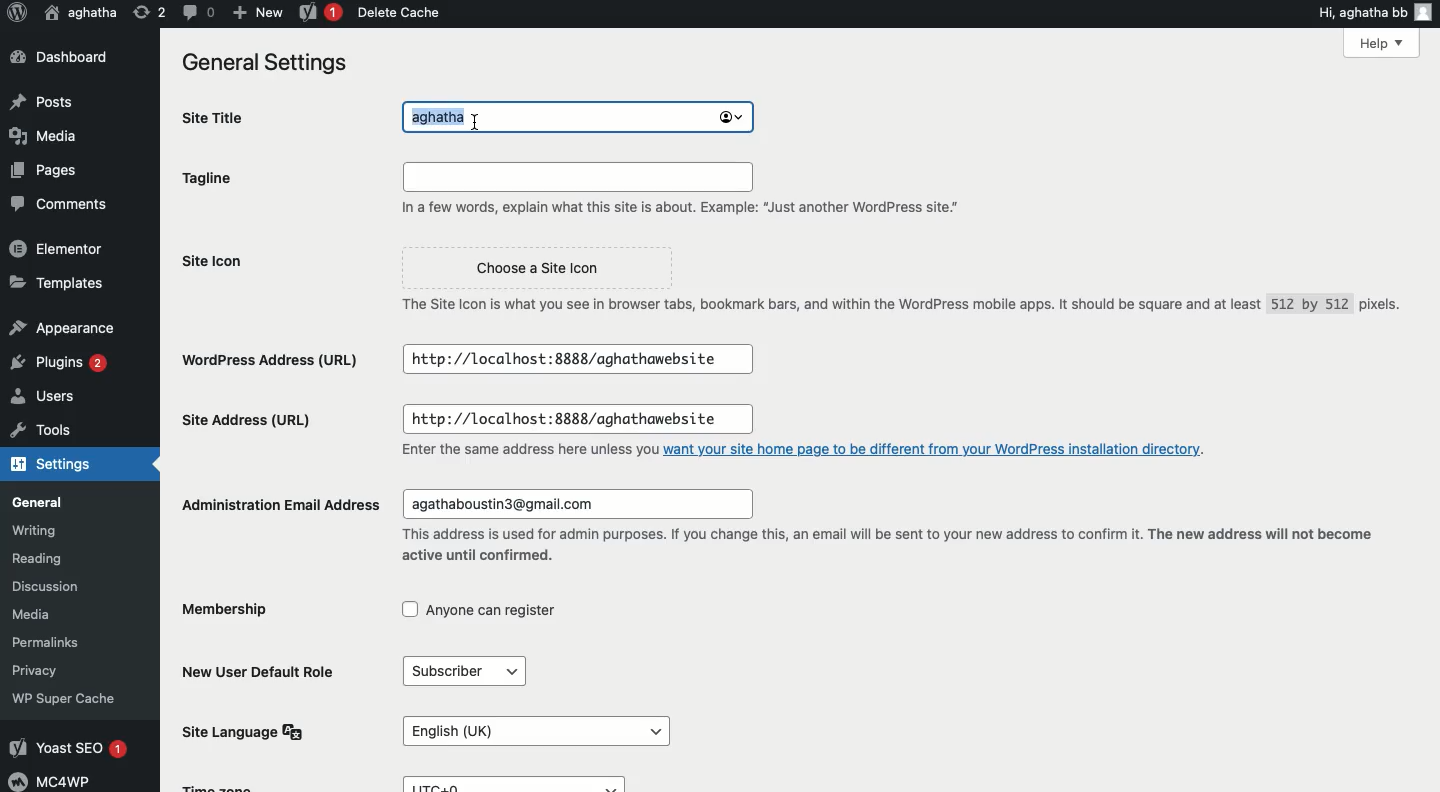  Describe the element at coordinates (63, 363) in the screenshot. I see `Plugins` at that location.